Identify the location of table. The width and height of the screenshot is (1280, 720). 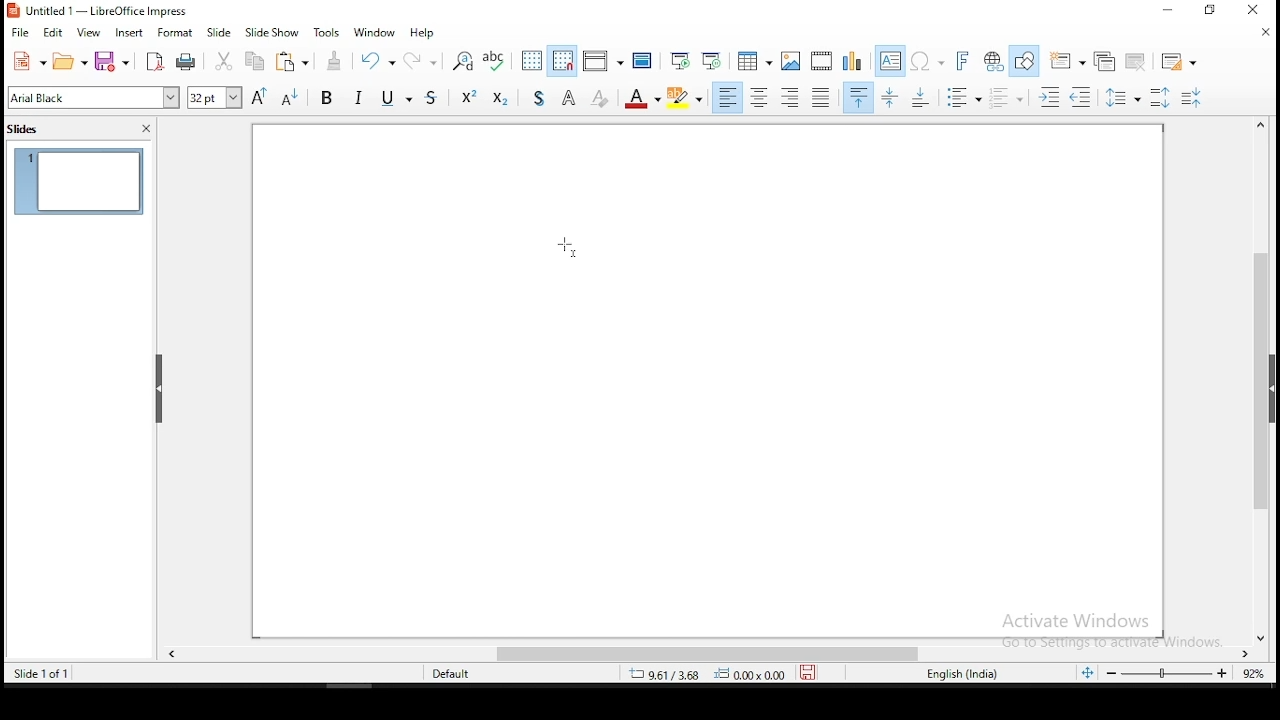
(755, 58).